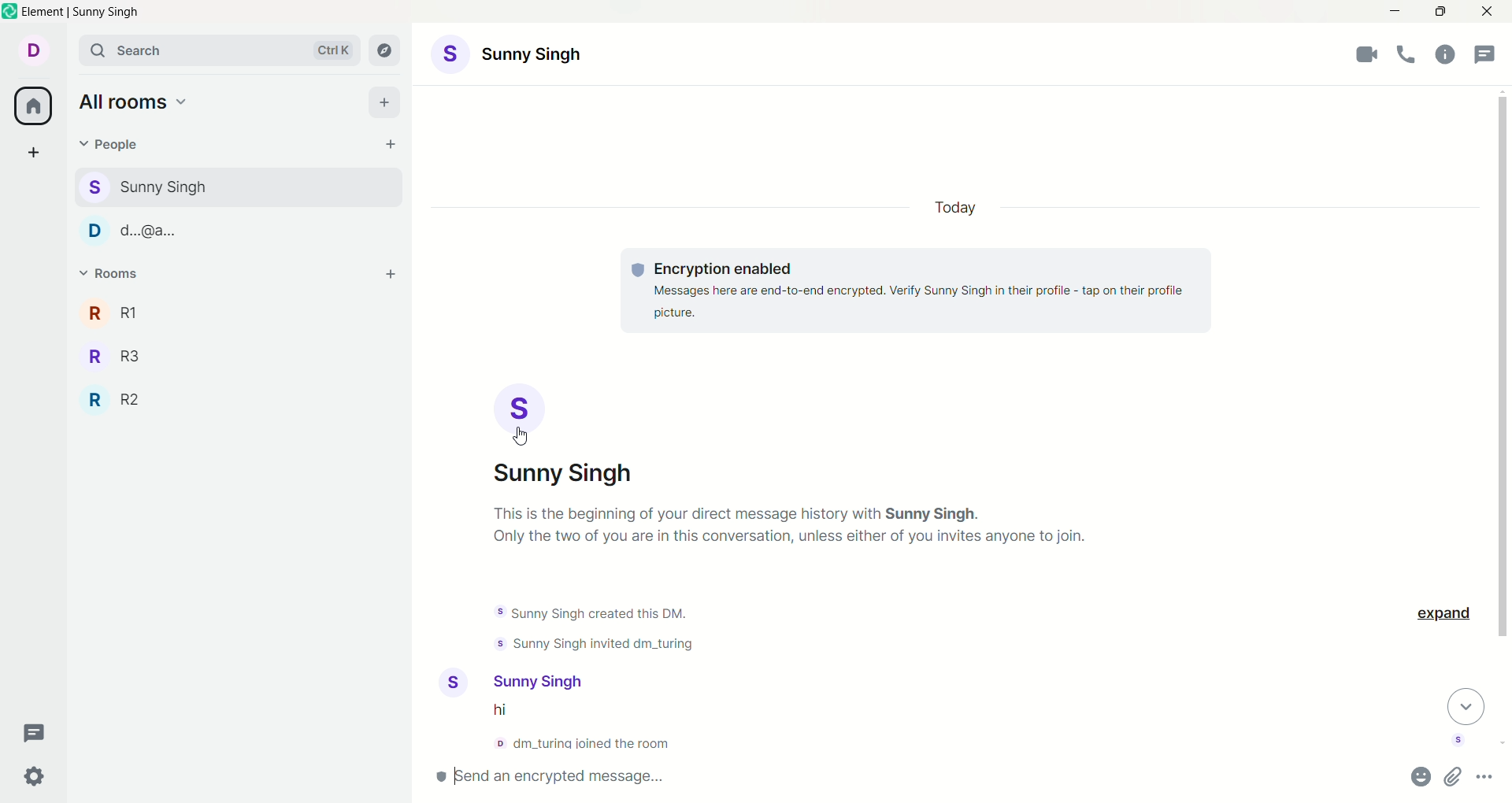  I want to click on add, so click(392, 276).